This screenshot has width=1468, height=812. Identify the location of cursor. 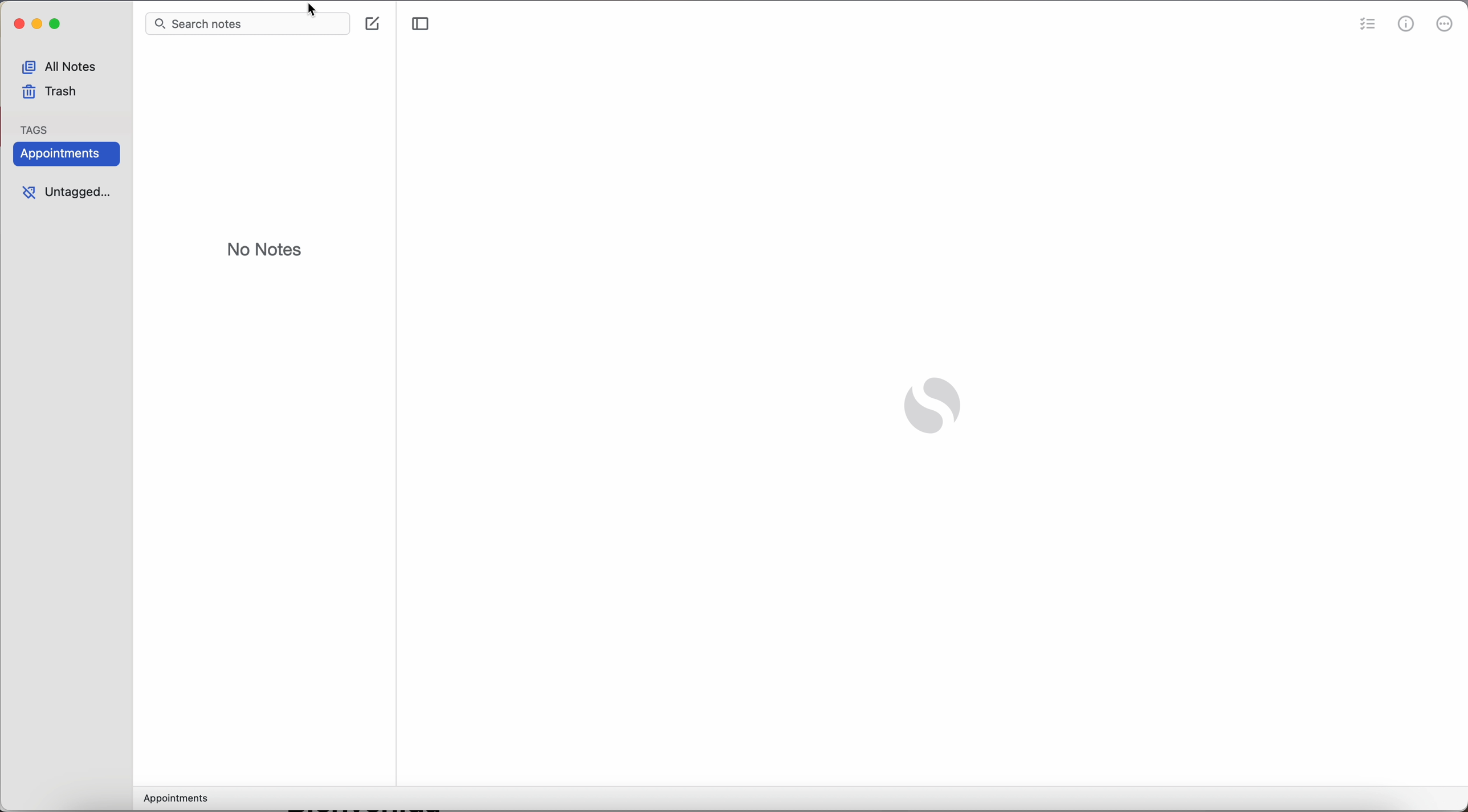
(316, 9).